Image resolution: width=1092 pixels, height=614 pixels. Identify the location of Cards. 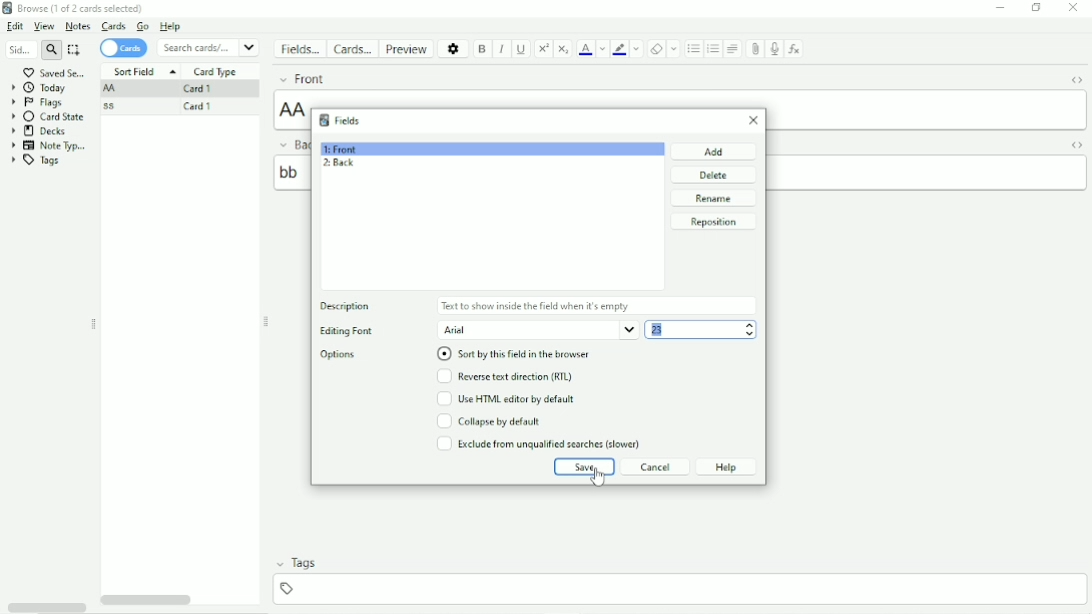
(126, 48).